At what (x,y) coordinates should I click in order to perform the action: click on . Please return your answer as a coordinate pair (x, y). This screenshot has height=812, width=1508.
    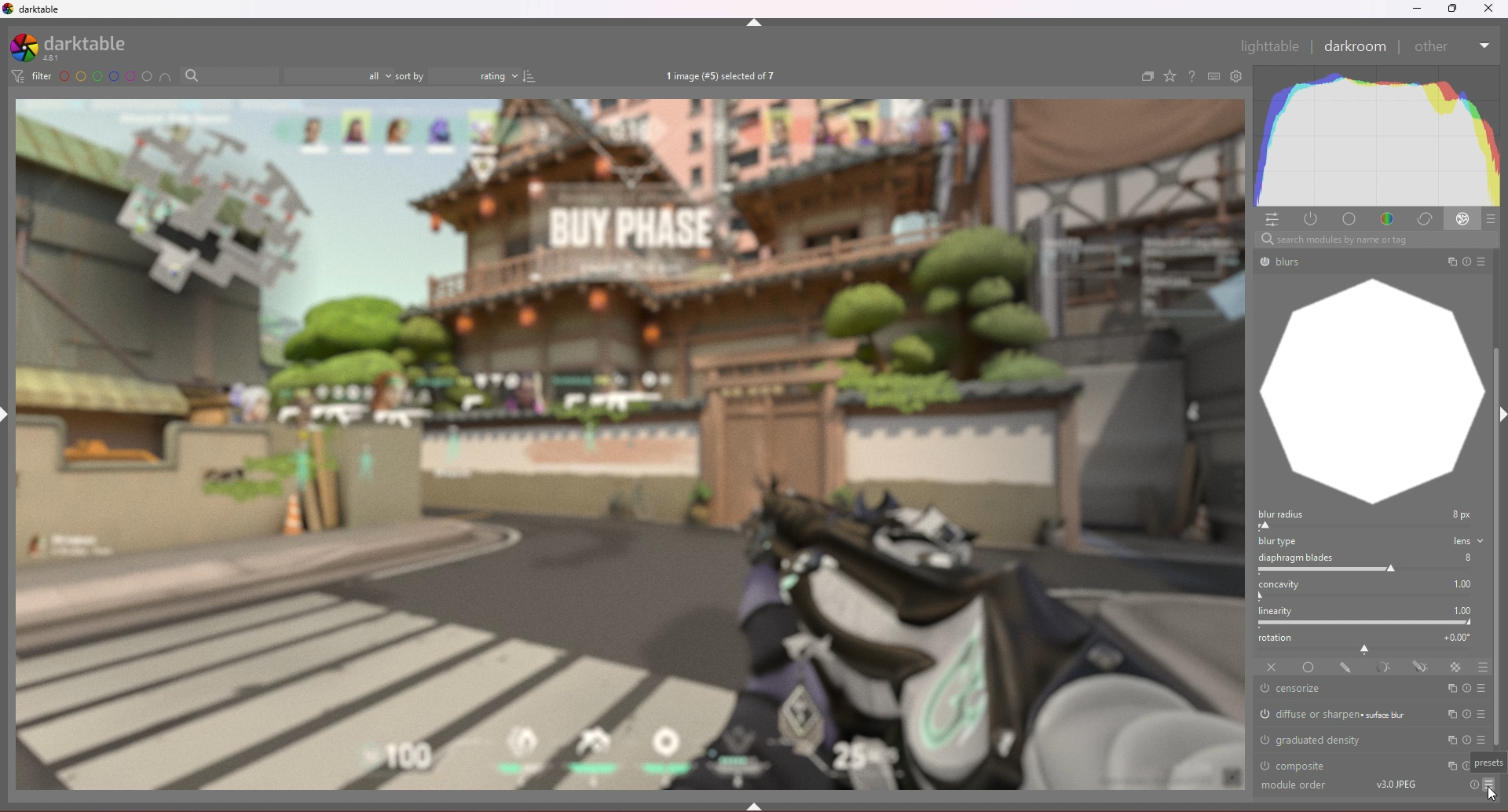
    Looking at the image, I should click on (1433, 48).